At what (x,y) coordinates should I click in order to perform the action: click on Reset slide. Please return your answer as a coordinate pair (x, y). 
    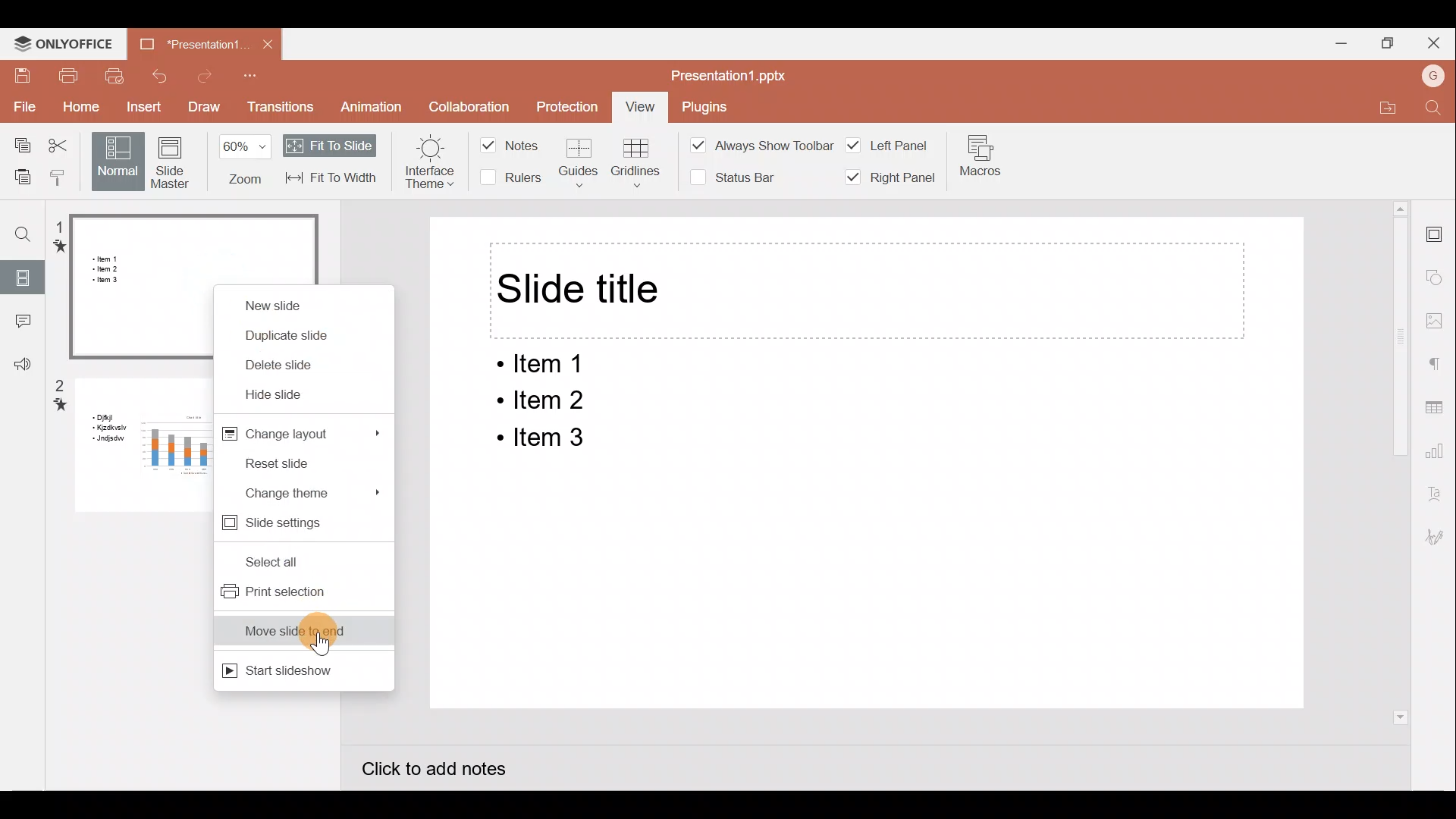
    Looking at the image, I should click on (308, 462).